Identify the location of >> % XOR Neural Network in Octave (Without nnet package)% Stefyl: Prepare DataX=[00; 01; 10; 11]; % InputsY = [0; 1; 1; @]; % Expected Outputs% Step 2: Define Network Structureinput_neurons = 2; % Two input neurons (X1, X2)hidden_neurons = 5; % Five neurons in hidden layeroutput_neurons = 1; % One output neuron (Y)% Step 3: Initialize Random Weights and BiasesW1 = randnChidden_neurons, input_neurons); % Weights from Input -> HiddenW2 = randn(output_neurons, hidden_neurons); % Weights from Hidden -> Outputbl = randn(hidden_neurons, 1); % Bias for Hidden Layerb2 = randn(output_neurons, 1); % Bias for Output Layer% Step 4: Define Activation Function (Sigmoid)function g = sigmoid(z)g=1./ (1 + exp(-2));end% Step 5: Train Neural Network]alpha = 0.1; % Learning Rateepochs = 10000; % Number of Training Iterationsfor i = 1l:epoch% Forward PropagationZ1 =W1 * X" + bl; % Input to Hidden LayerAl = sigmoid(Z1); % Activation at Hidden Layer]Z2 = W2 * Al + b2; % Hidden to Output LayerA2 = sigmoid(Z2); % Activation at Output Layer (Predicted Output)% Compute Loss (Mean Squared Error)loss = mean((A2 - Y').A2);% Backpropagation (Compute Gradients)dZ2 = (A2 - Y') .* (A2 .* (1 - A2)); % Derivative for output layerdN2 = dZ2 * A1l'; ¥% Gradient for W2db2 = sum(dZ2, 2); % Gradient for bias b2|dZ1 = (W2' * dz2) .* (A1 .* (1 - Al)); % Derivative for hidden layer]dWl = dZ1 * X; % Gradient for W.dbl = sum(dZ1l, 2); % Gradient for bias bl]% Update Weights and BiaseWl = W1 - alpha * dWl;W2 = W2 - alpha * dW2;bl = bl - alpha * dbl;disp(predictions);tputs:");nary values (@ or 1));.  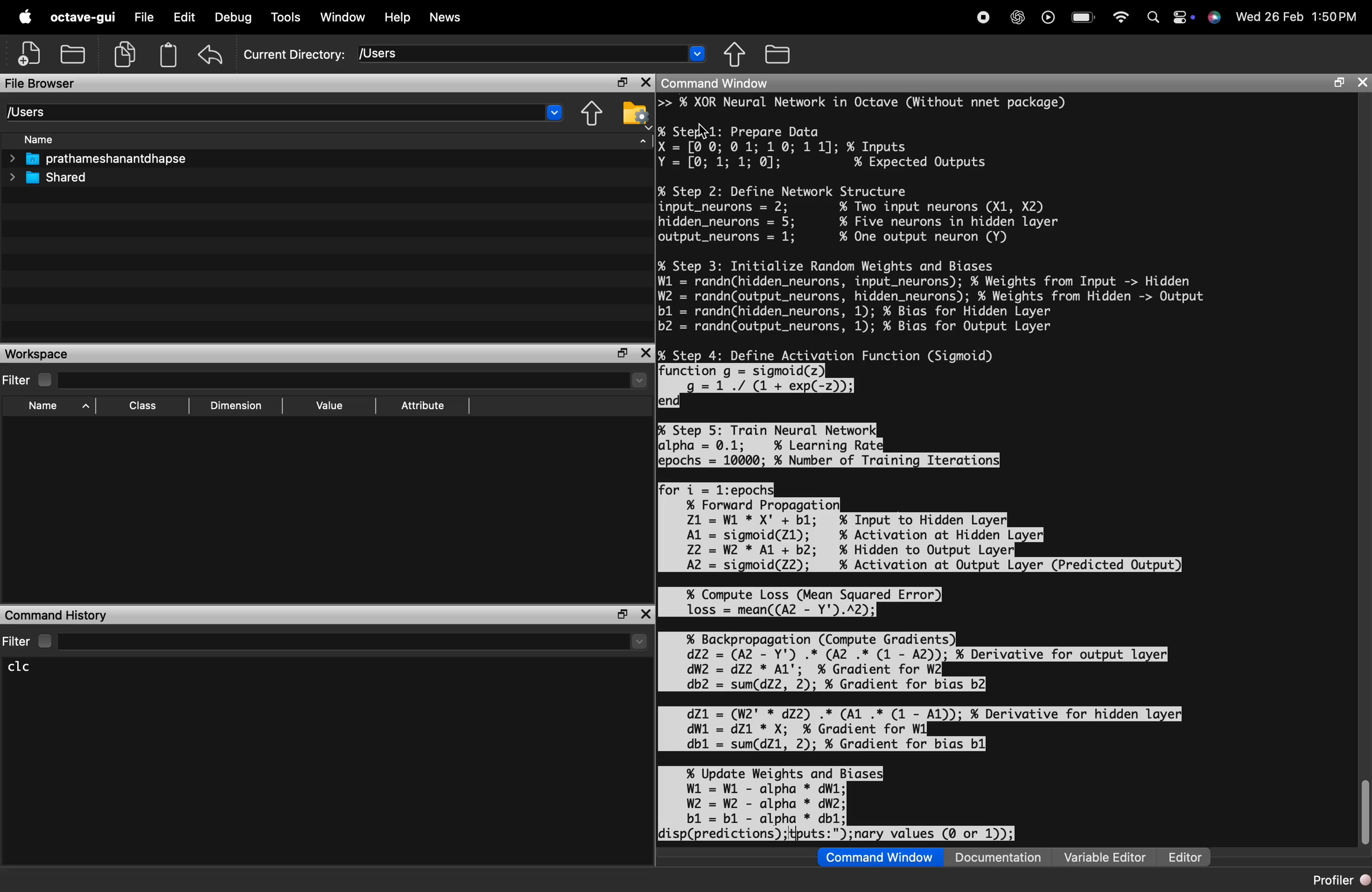
(936, 470).